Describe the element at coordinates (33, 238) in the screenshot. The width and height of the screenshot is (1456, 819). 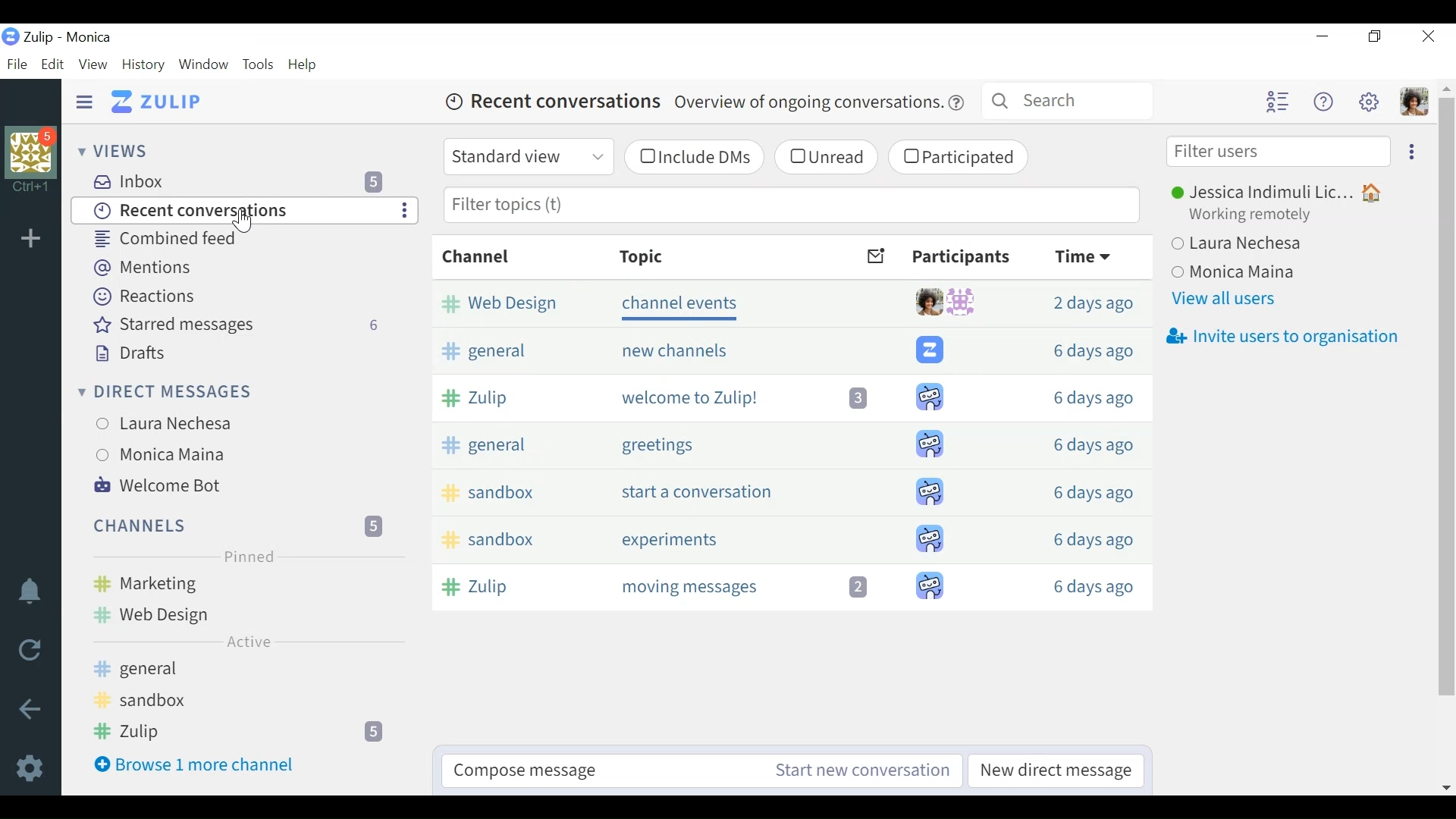
I see `Add organisation` at that location.